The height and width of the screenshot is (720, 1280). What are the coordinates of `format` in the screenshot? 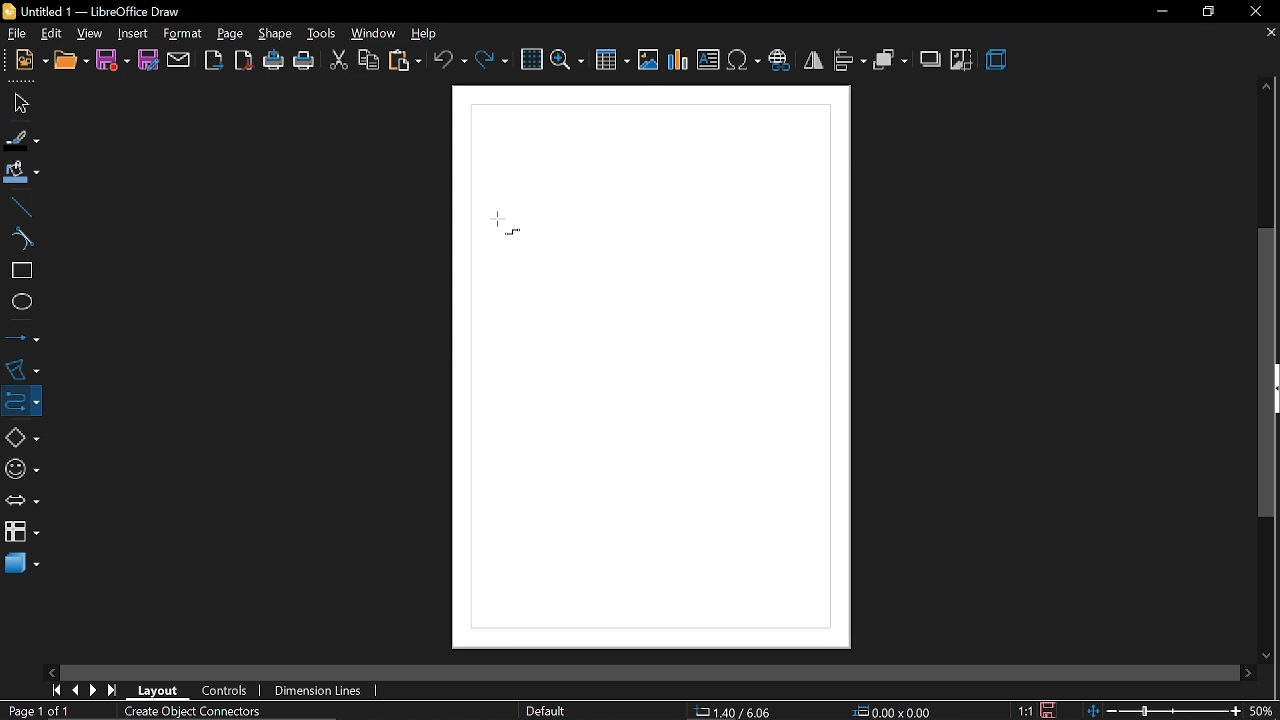 It's located at (182, 34).